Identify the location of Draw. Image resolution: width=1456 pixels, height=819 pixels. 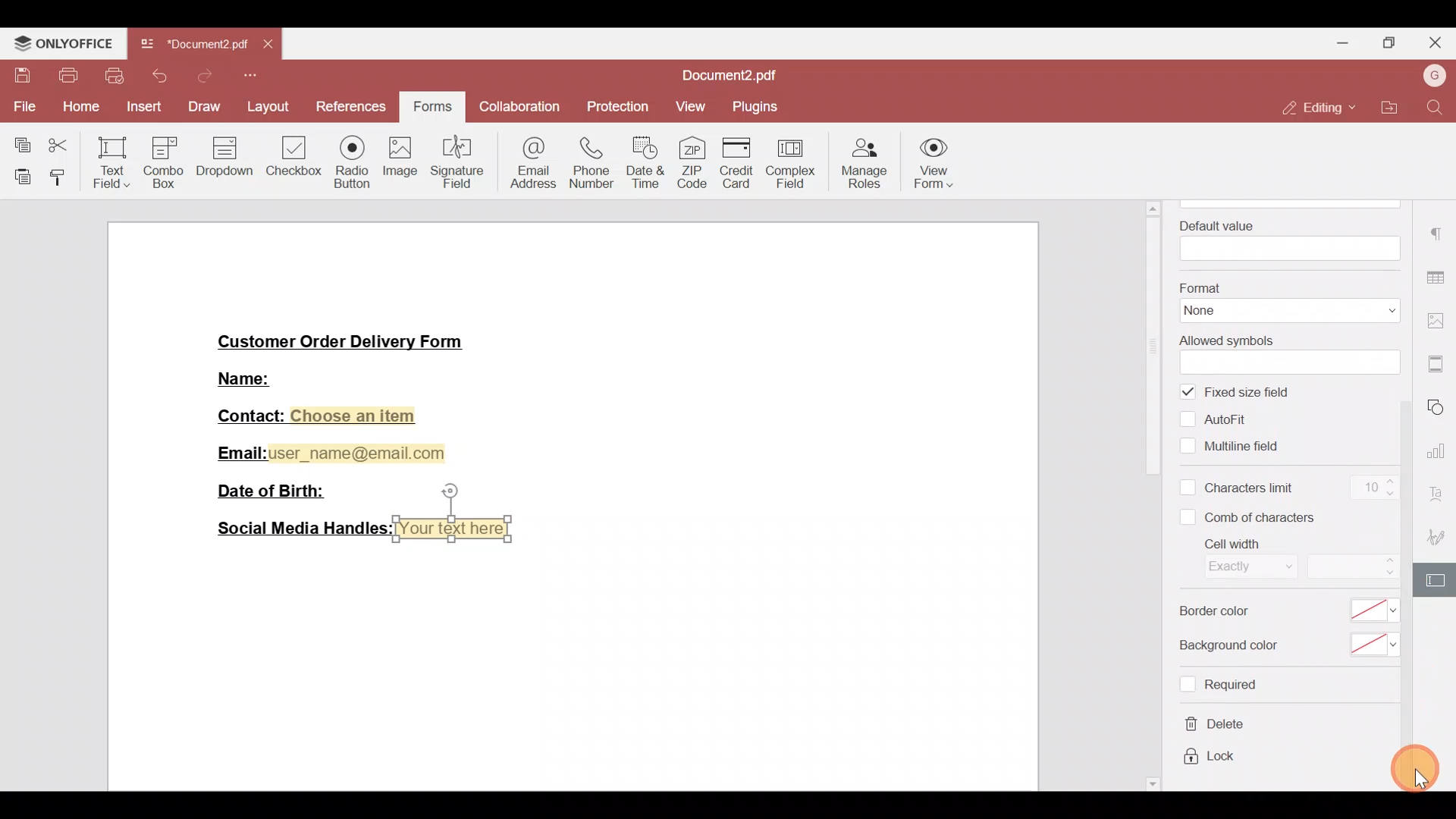
(204, 105).